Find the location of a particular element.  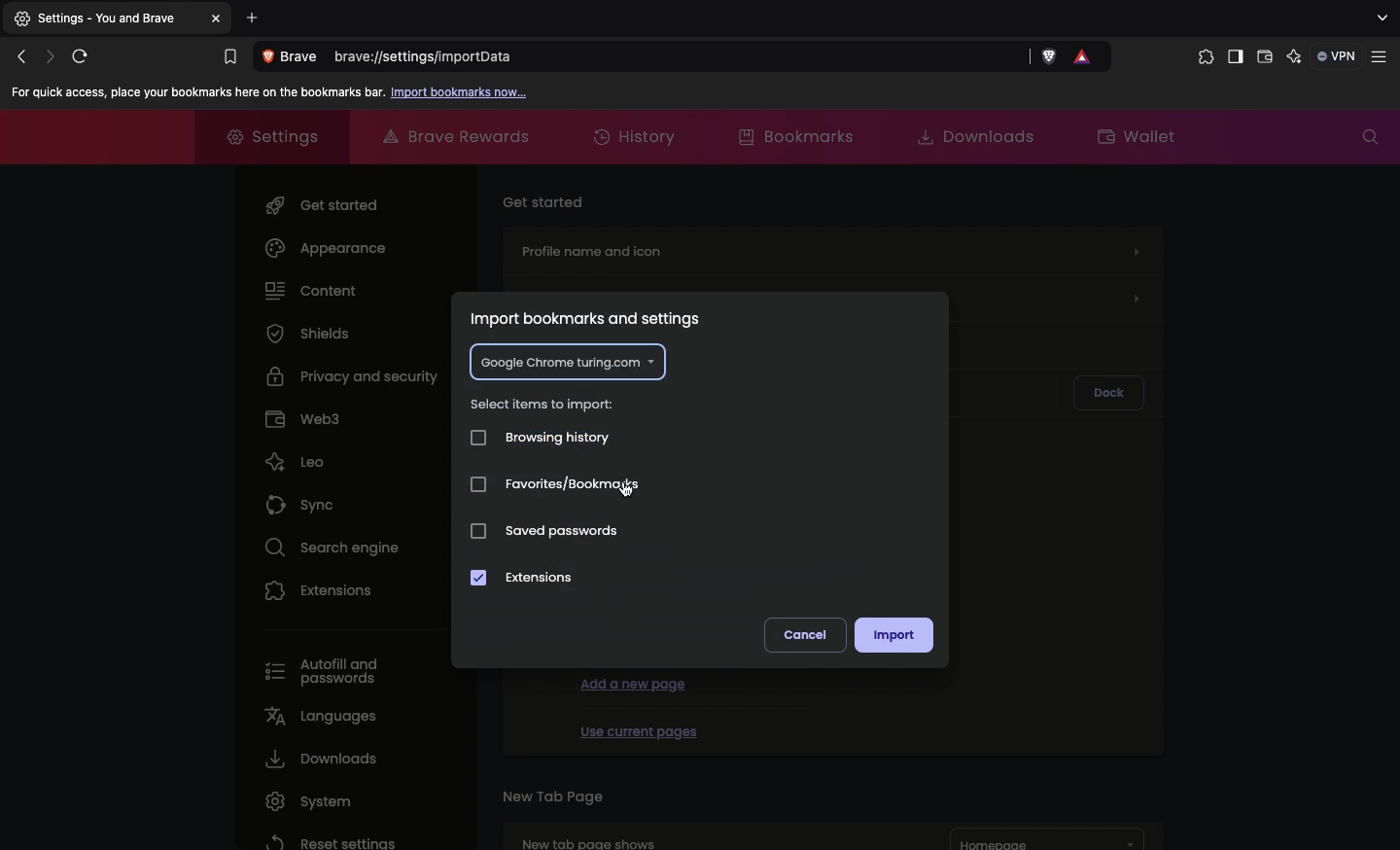

Homepage is located at coordinates (1048, 839).